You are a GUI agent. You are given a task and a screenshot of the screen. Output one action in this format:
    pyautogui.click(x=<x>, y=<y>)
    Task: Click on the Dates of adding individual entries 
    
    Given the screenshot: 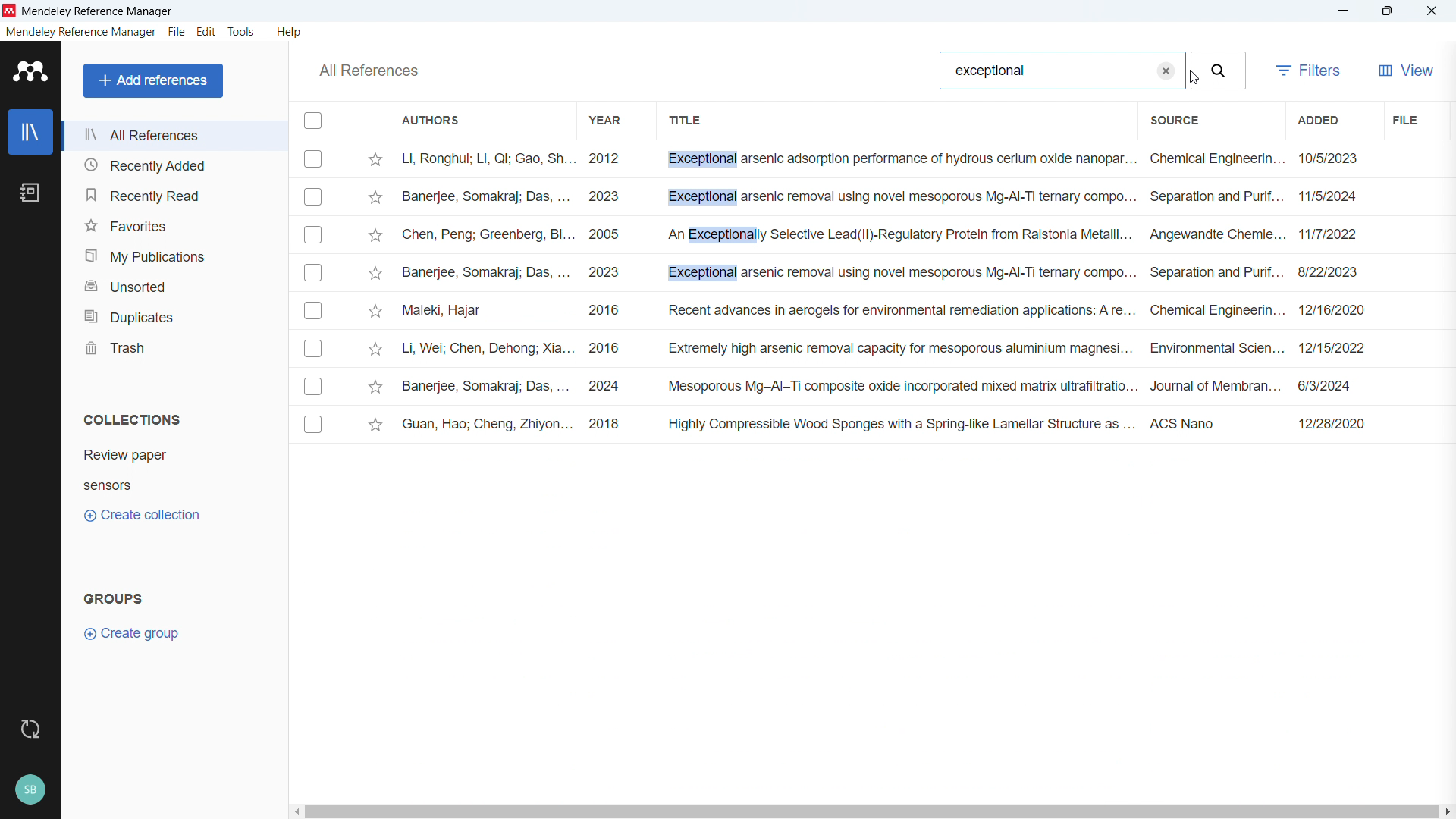 What is the action you would take?
    pyautogui.click(x=1336, y=298)
    